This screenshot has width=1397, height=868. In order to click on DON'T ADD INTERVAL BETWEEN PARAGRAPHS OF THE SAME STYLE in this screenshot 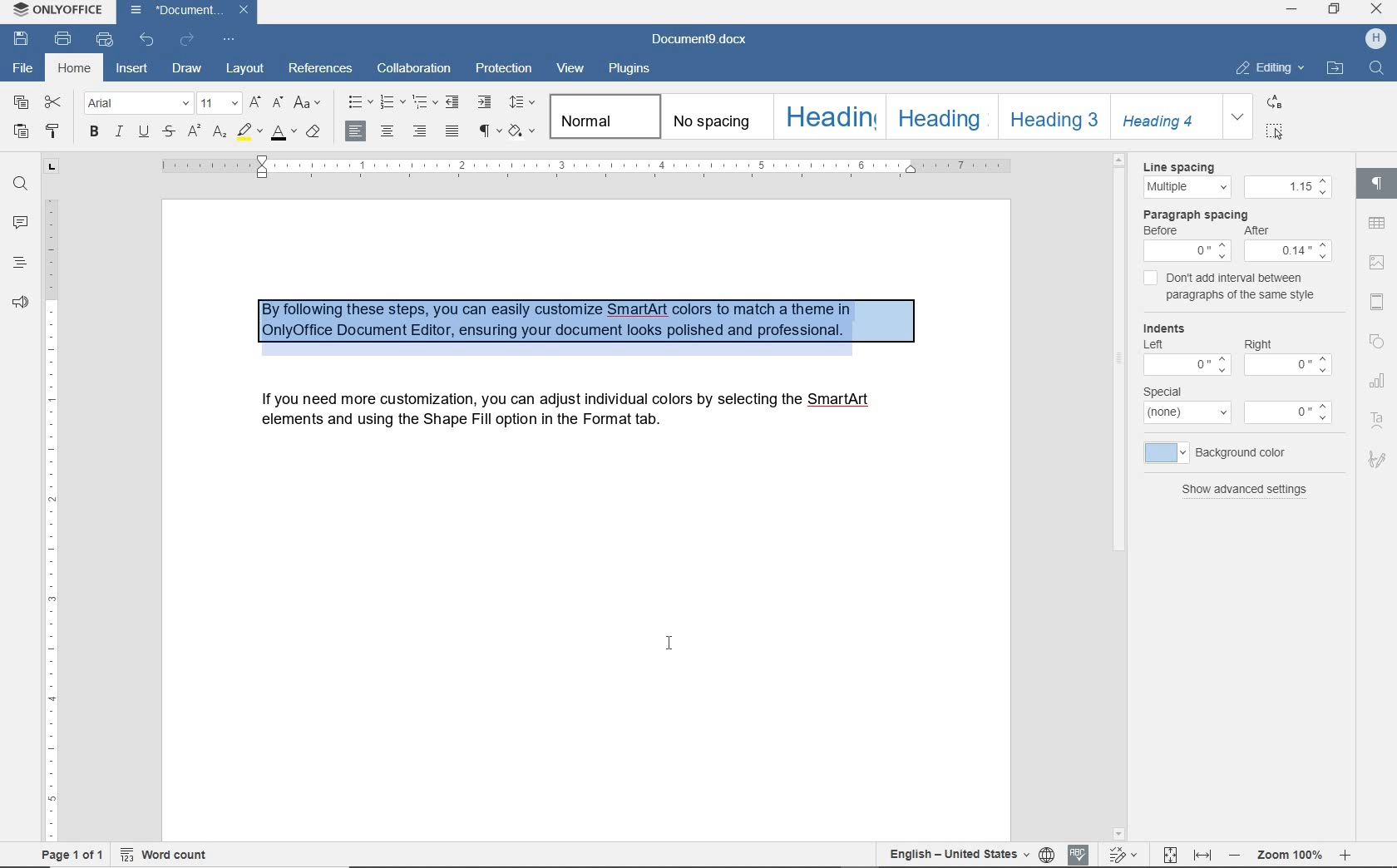, I will do `click(1232, 287)`.